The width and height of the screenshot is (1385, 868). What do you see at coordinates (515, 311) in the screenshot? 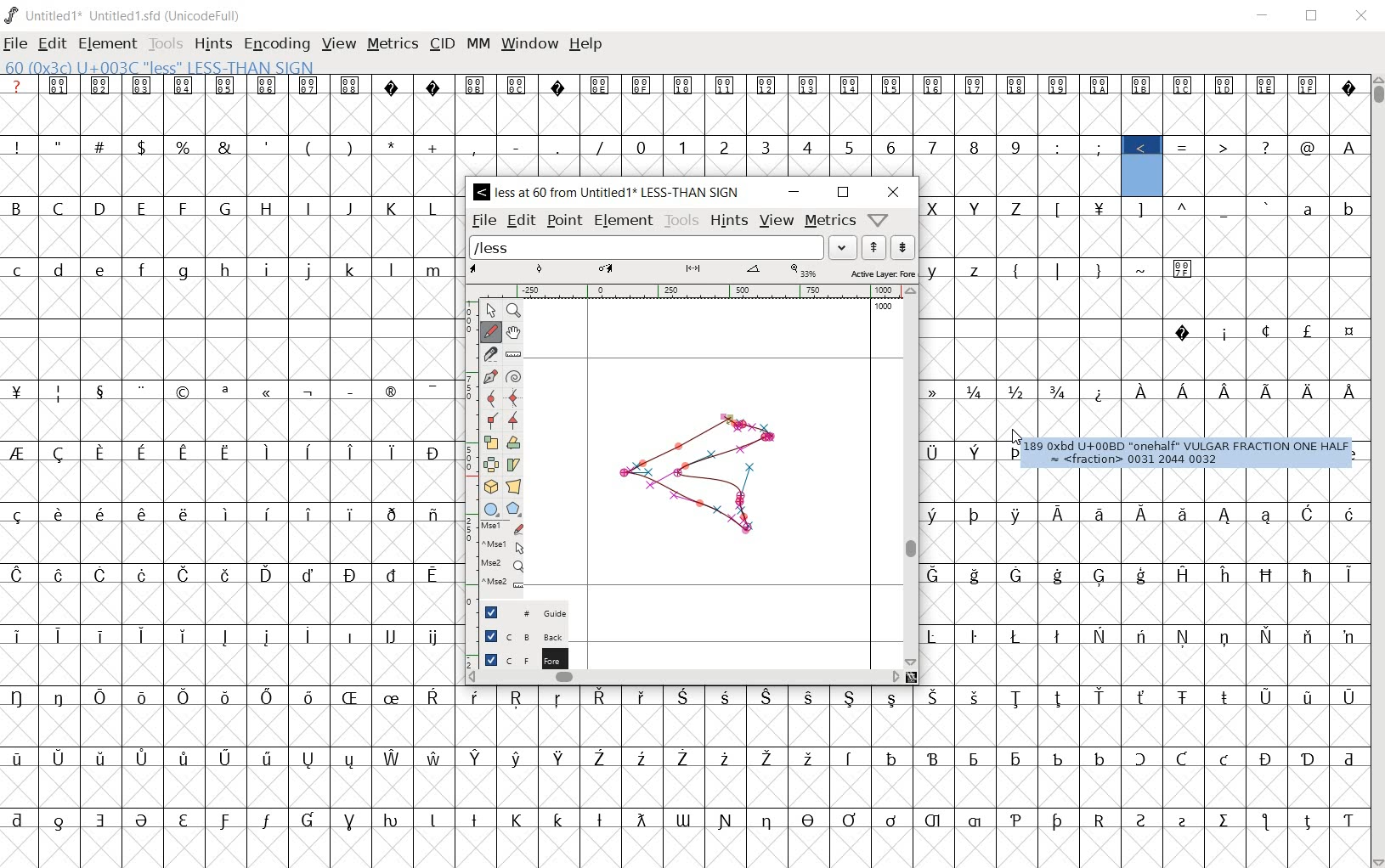
I see `Magnify` at bounding box center [515, 311].